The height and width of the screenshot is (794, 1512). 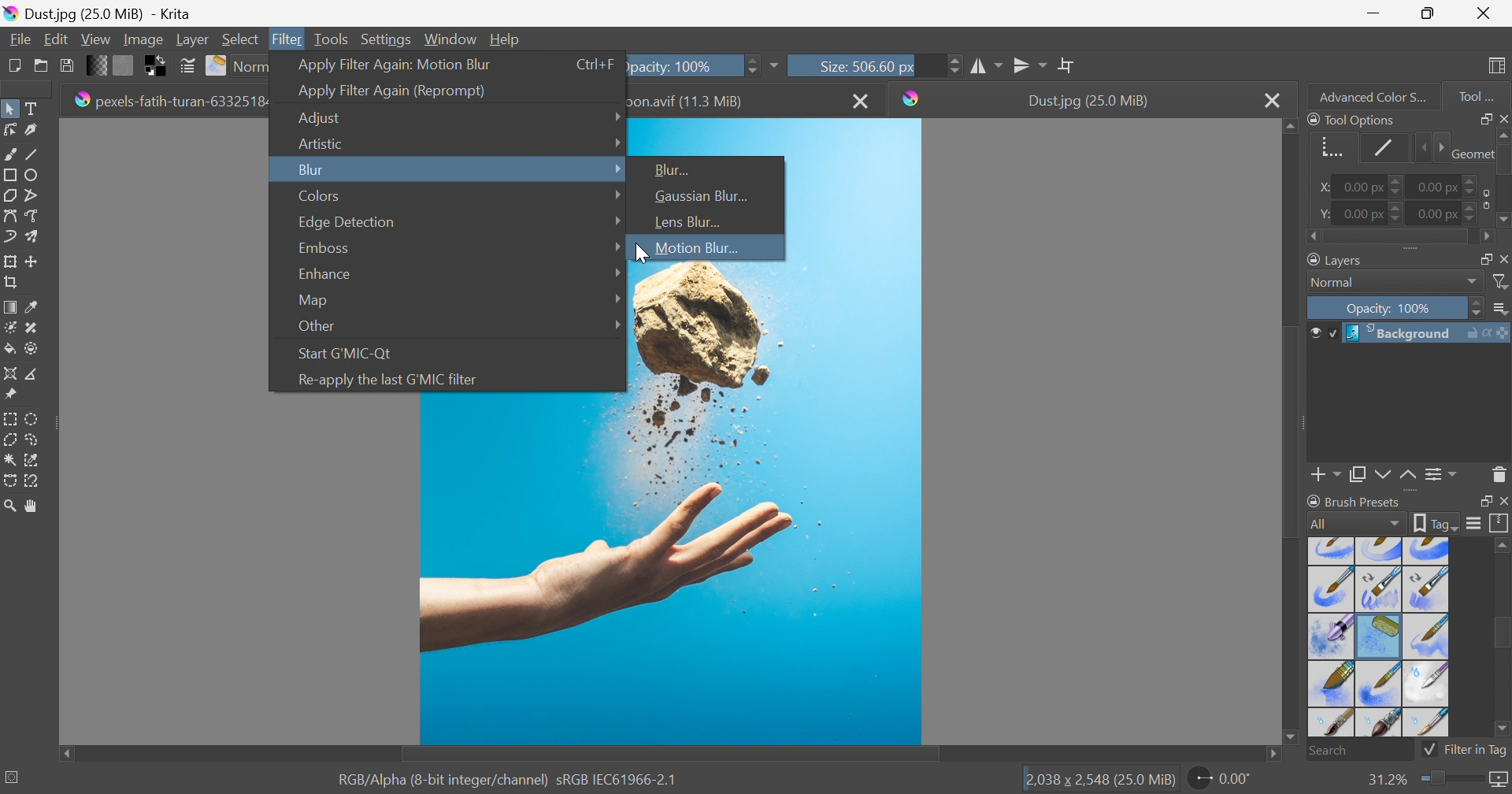 I want to click on Measure the distance between two points, so click(x=33, y=375).